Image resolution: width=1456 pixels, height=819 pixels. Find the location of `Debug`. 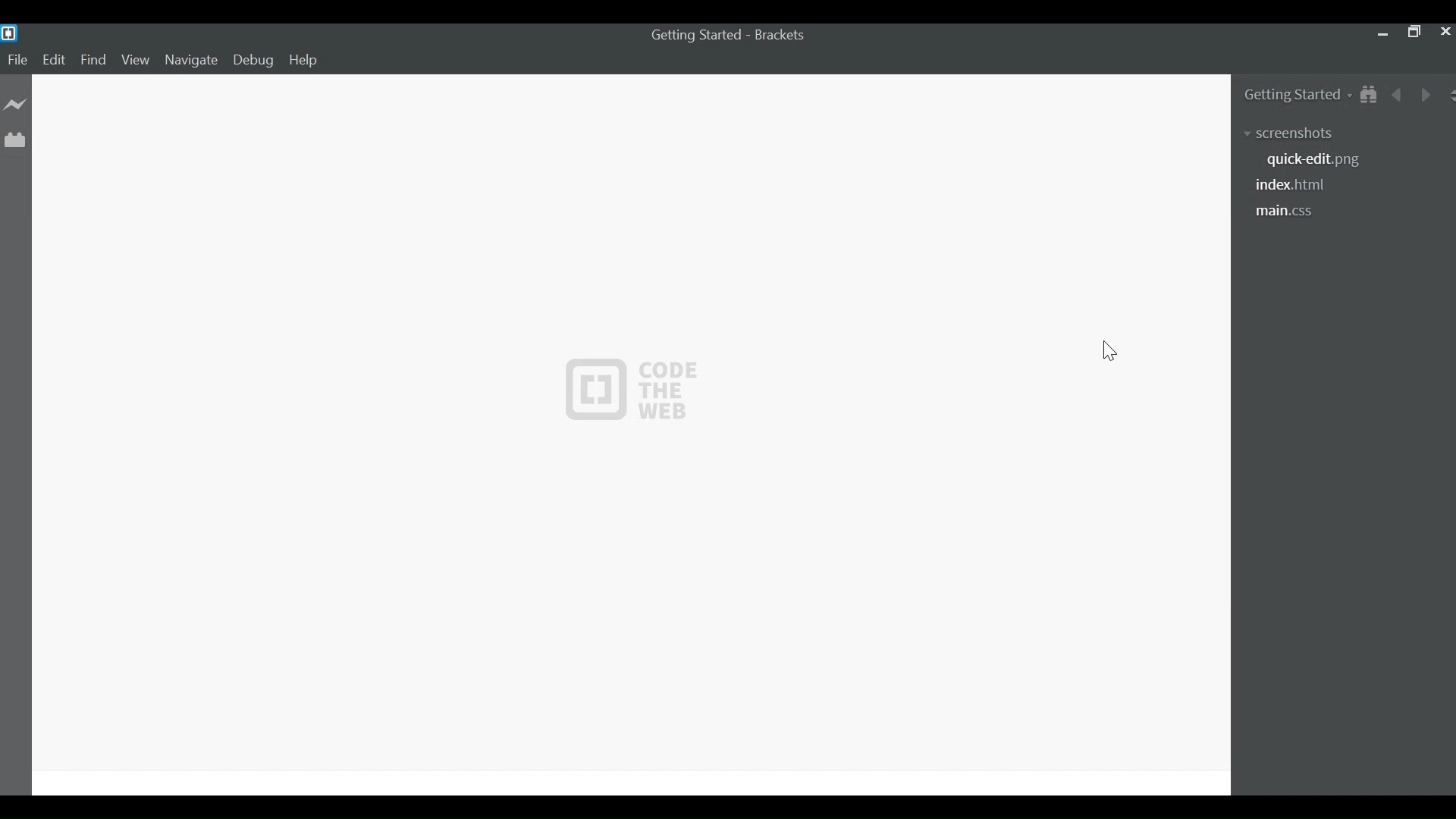

Debug is located at coordinates (254, 61).